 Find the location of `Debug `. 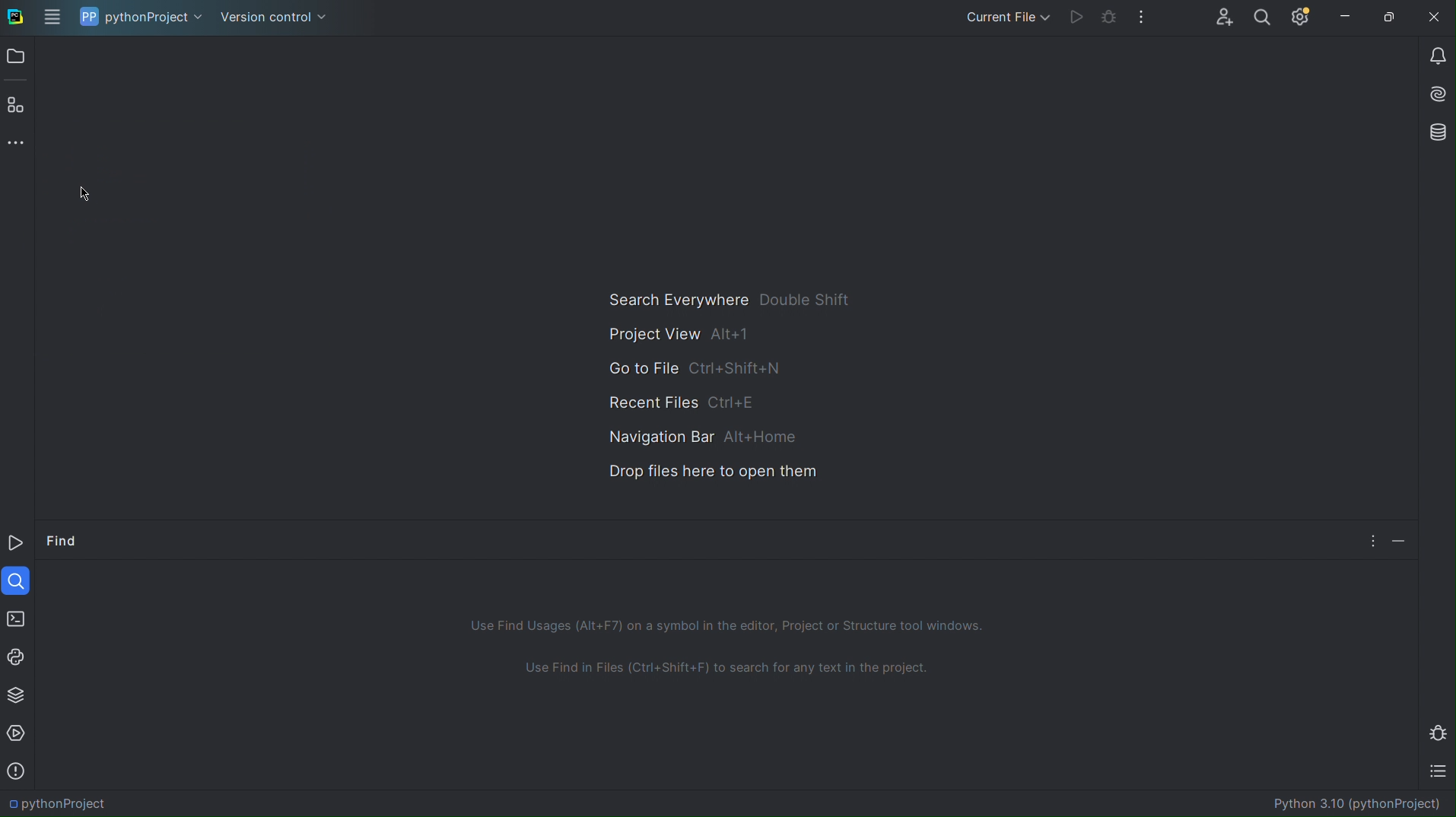

Debug  is located at coordinates (1111, 19).